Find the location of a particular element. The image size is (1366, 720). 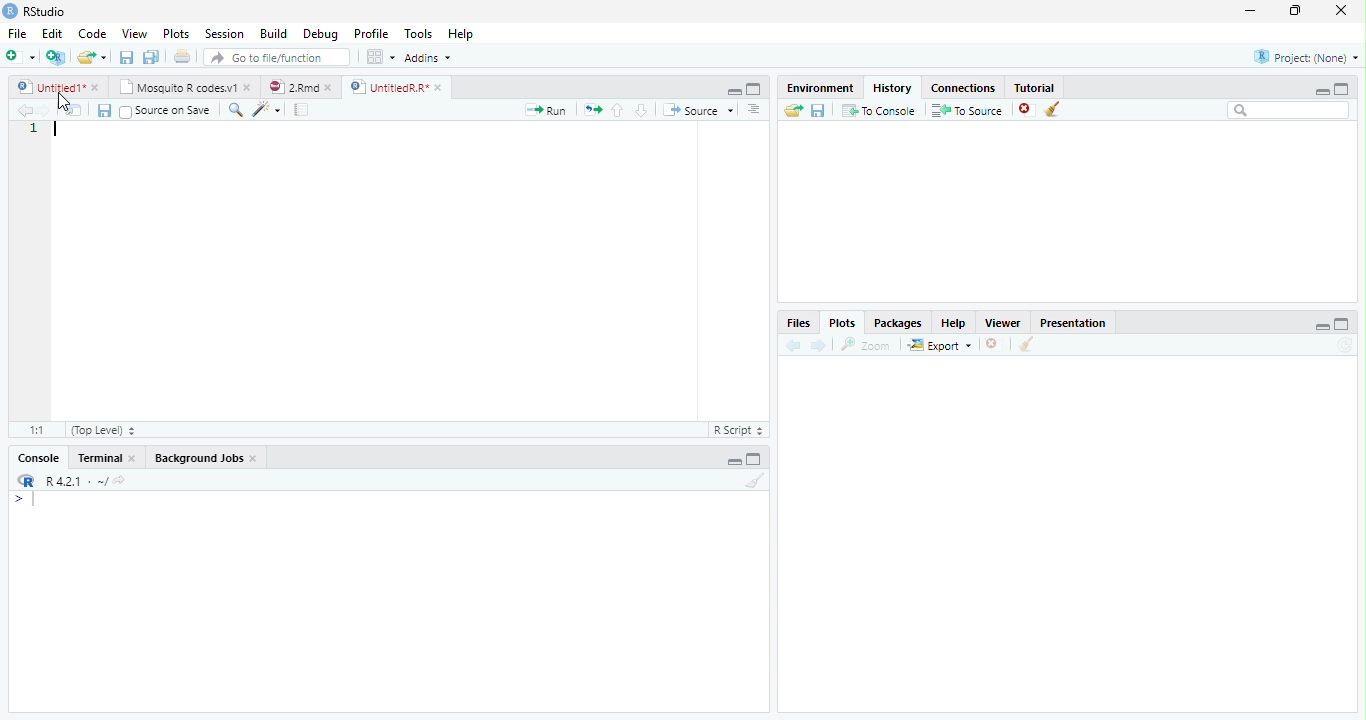

To Console is located at coordinates (880, 110).